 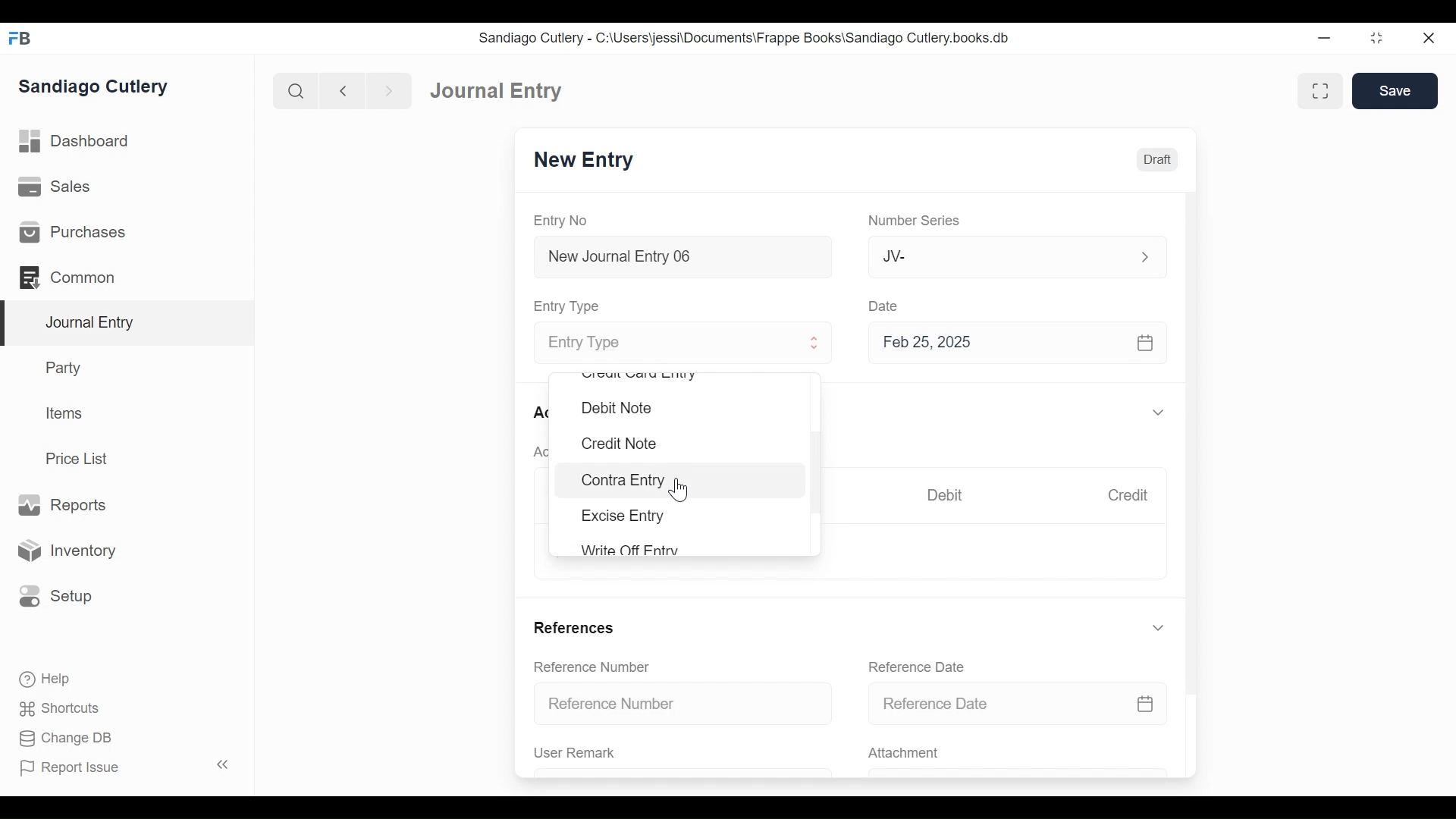 What do you see at coordinates (21, 39) in the screenshot?
I see `Frappe Books Desktop icon` at bounding box center [21, 39].